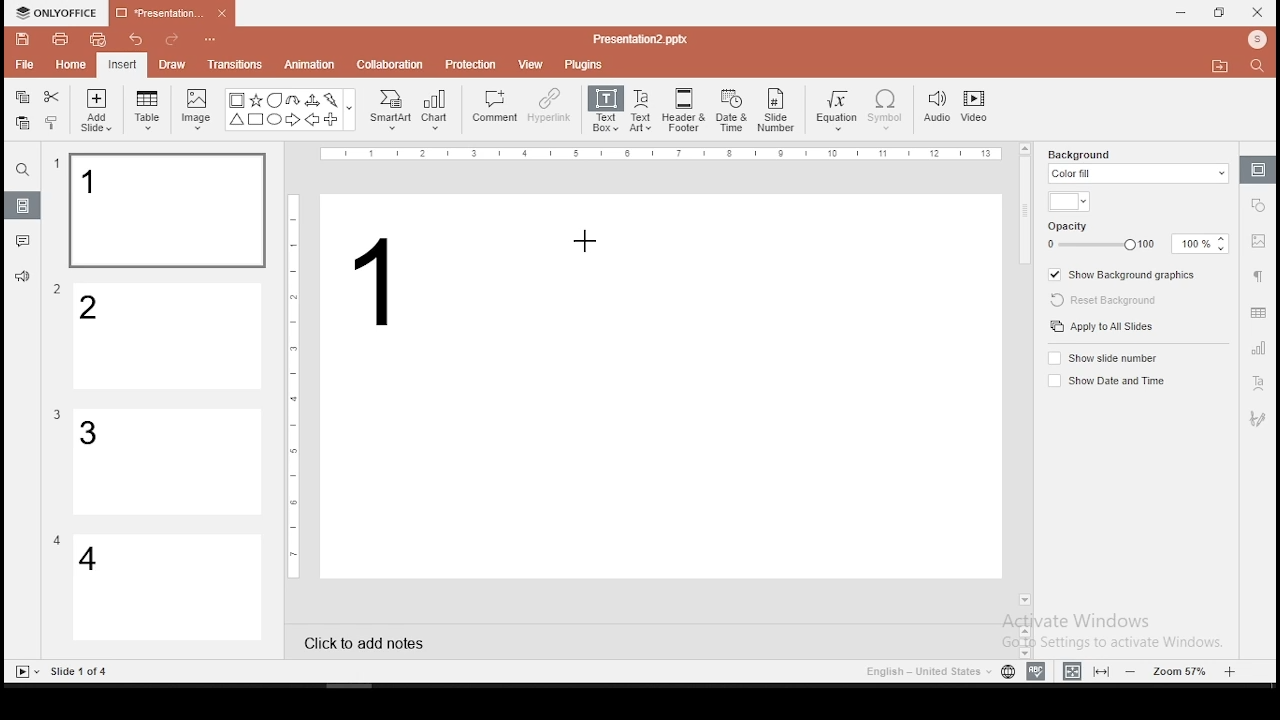 This screenshot has height=720, width=1280. What do you see at coordinates (686, 111) in the screenshot?
I see `header and footer` at bounding box center [686, 111].